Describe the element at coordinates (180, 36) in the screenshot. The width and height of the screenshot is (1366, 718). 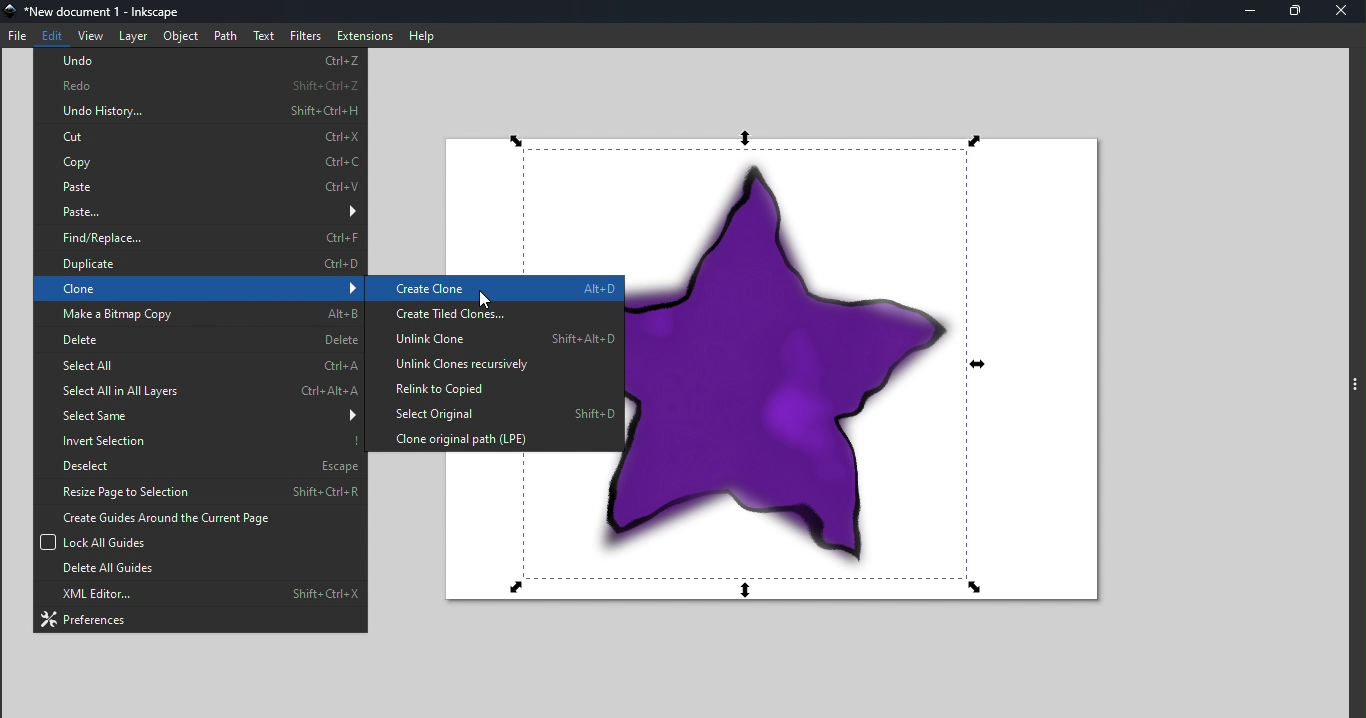
I see `Object` at that location.